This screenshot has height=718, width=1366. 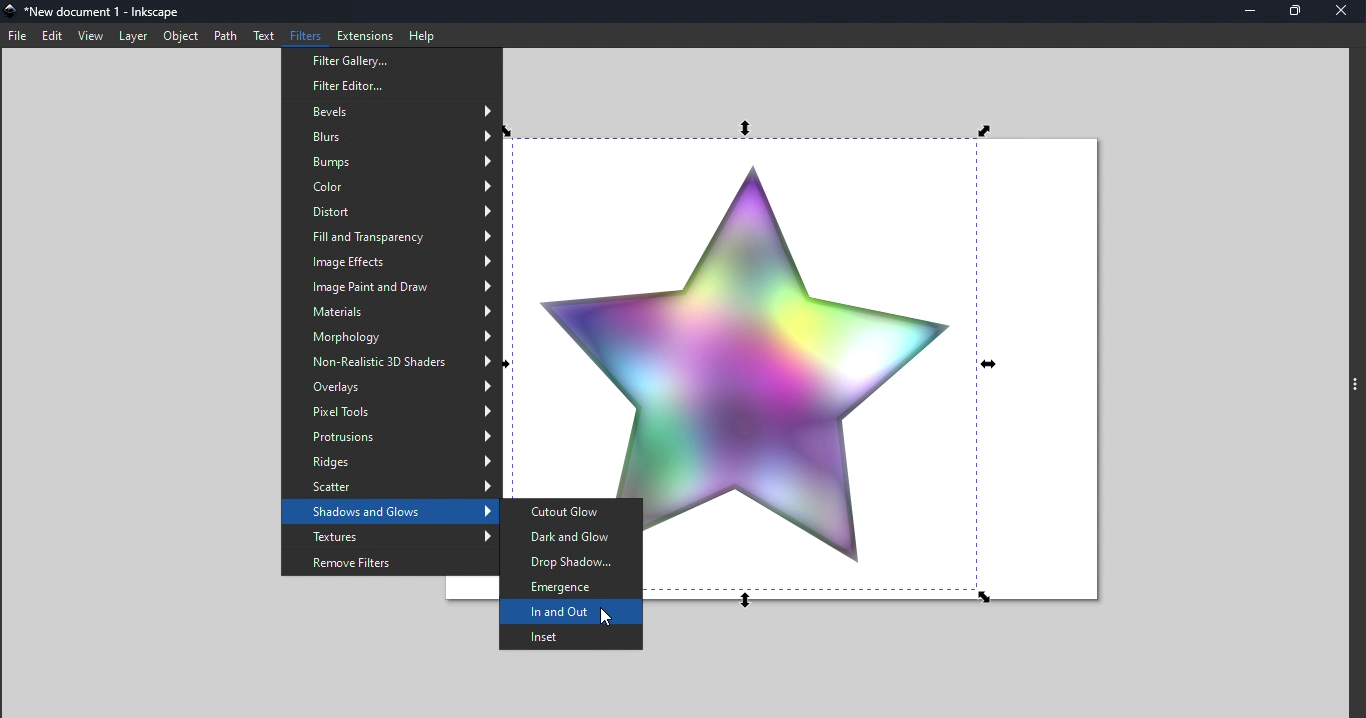 What do you see at coordinates (392, 361) in the screenshot?
I see `Non-realistic 3D shades` at bounding box center [392, 361].